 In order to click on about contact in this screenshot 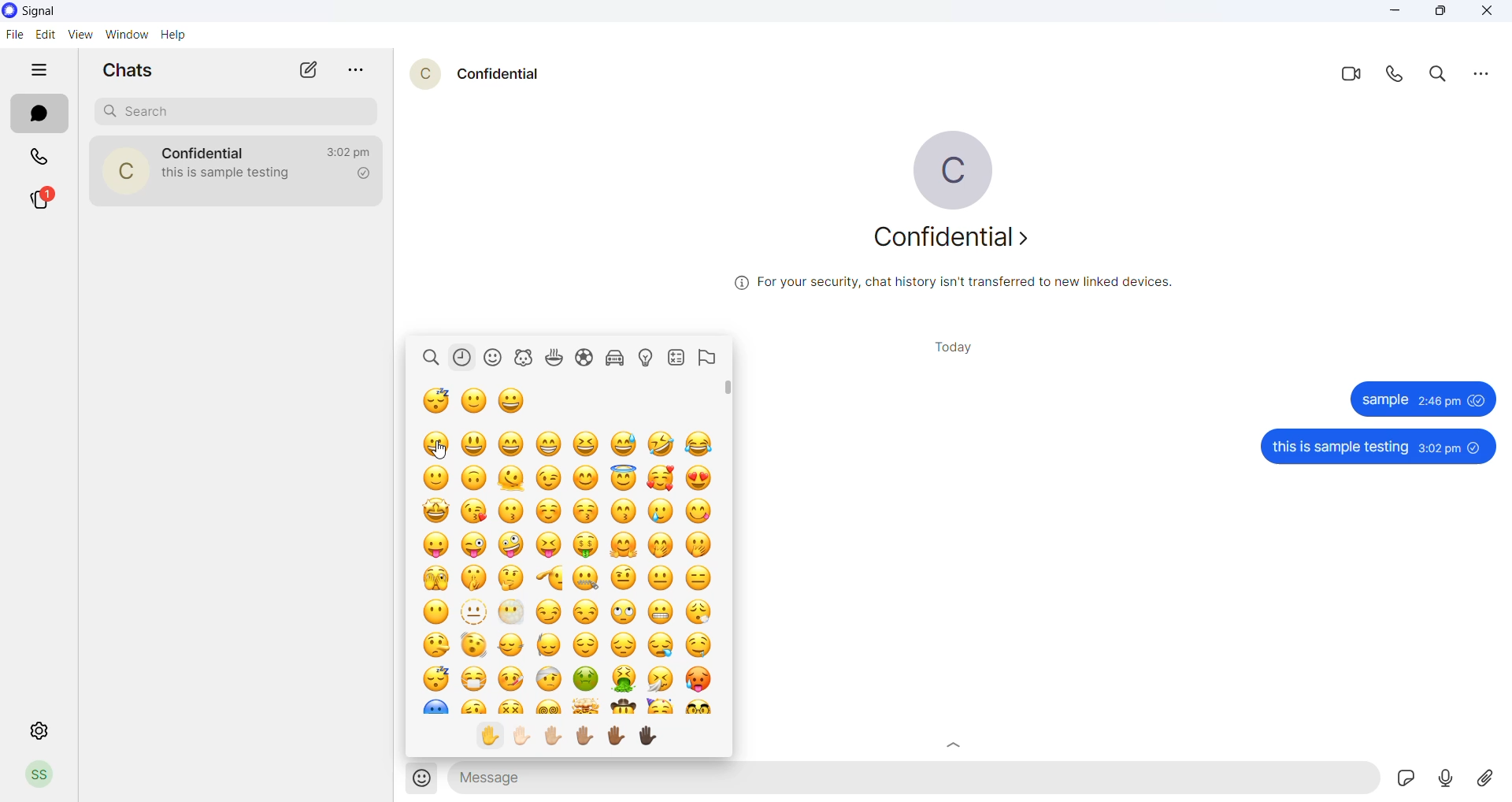, I will do `click(957, 242)`.